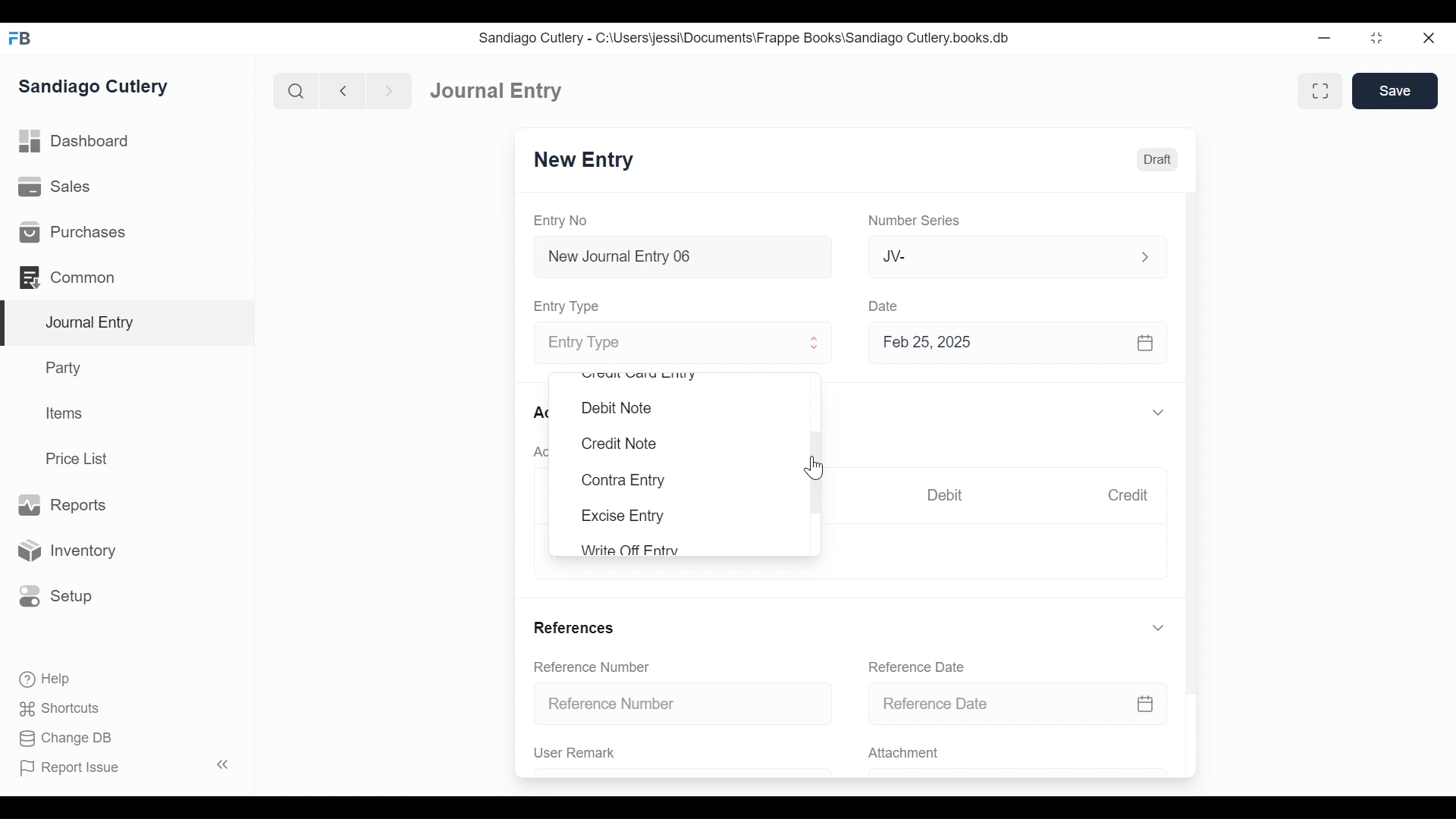 Image resolution: width=1456 pixels, height=819 pixels. What do you see at coordinates (902, 754) in the screenshot?
I see `Attachment` at bounding box center [902, 754].